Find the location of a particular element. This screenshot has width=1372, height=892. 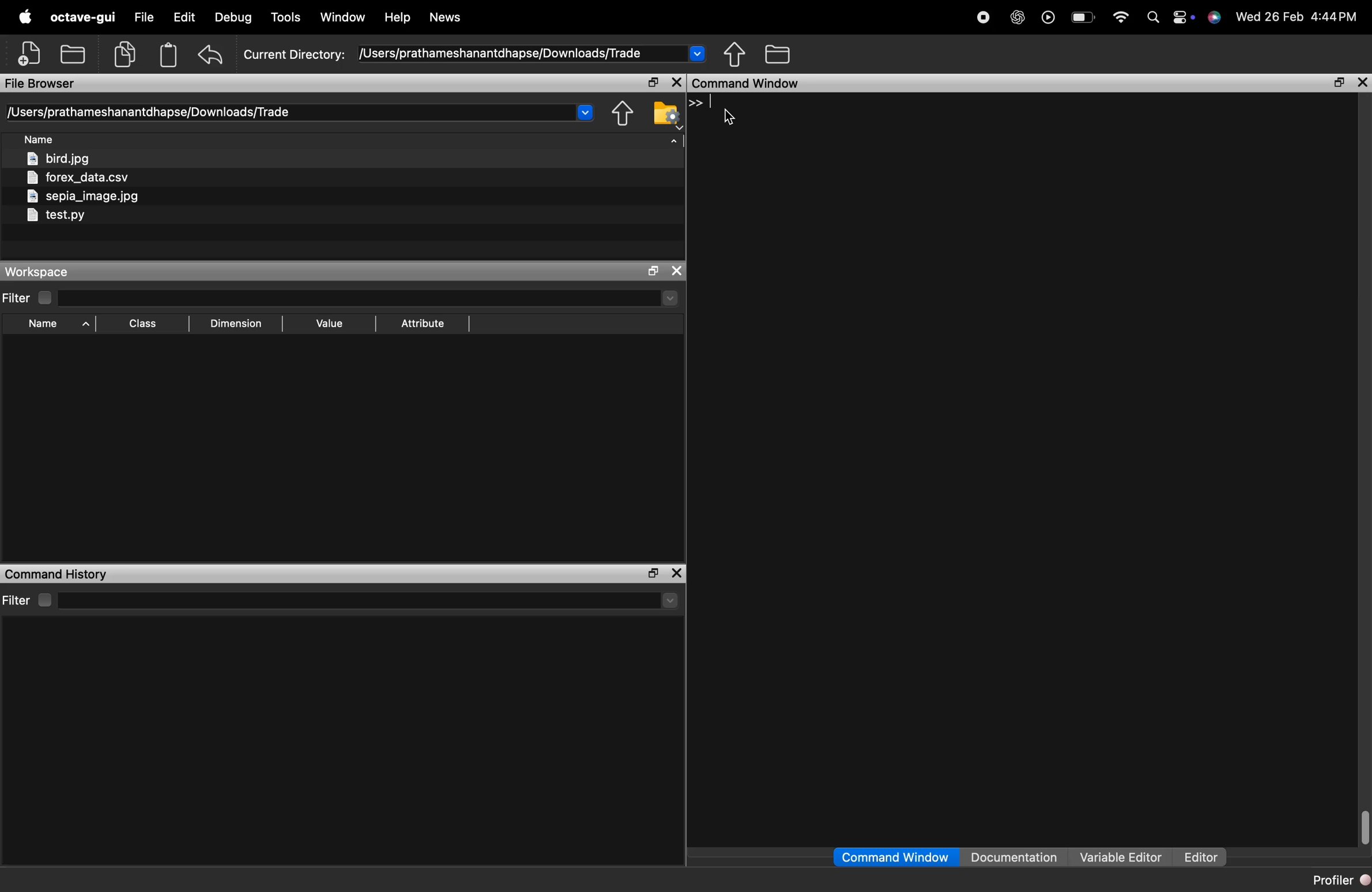

/Users/prathameshanantdhapse/Downloads/Trade is located at coordinates (502, 54).